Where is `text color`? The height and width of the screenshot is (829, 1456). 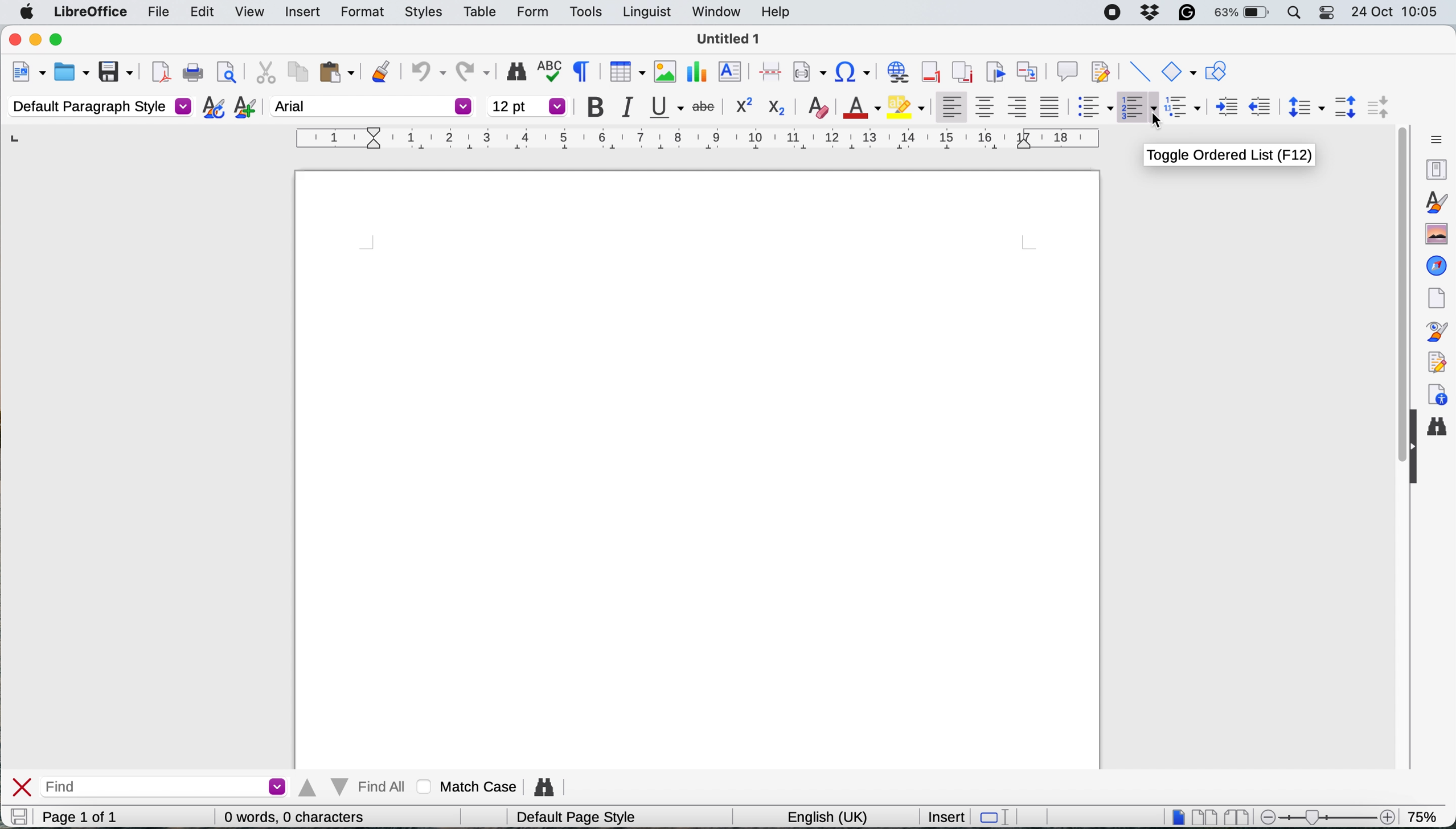
text color is located at coordinates (859, 106).